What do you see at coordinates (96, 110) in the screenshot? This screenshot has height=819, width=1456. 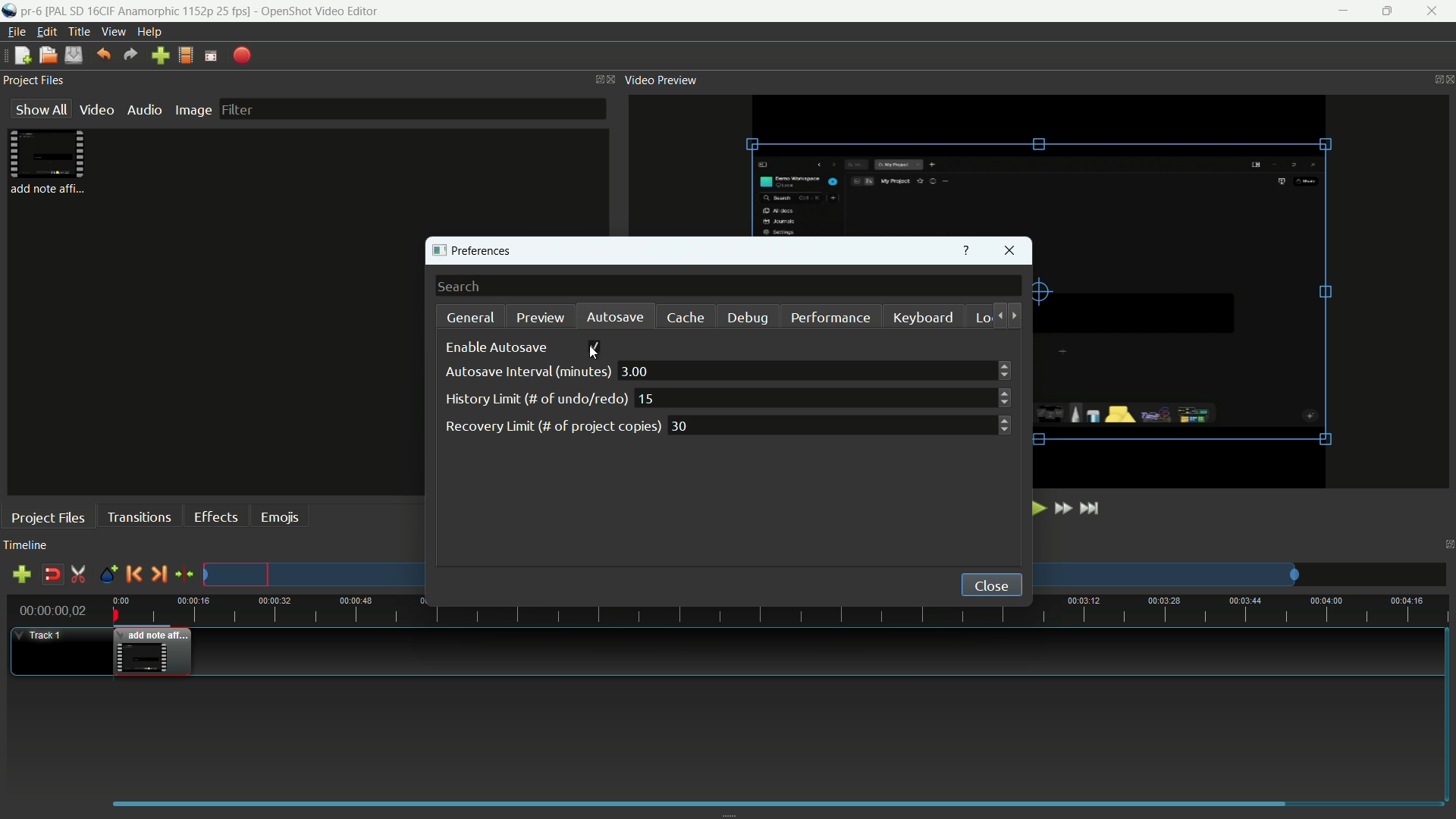 I see `video` at bounding box center [96, 110].